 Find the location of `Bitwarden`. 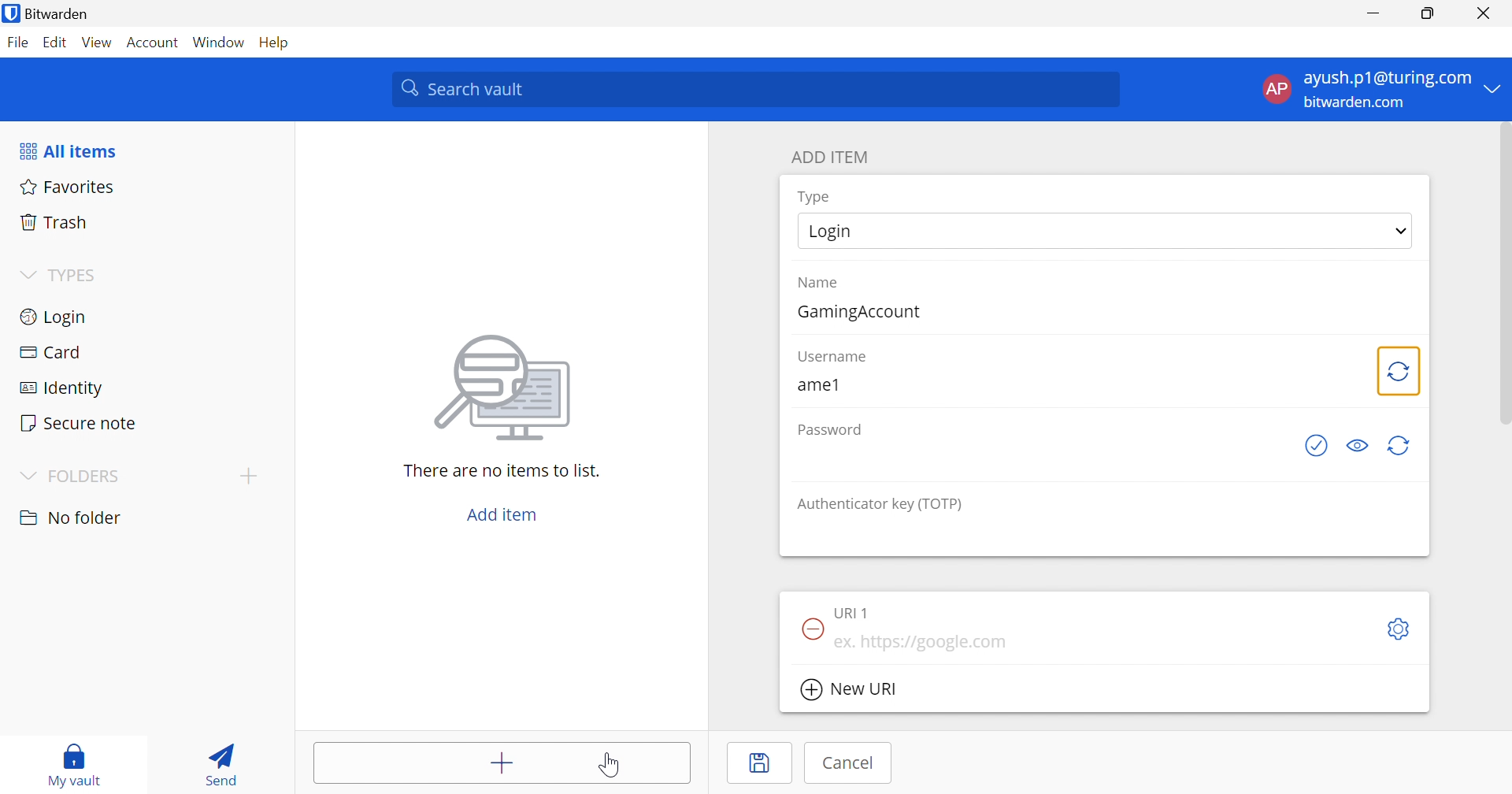

Bitwarden is located at coordinates (46, 13).